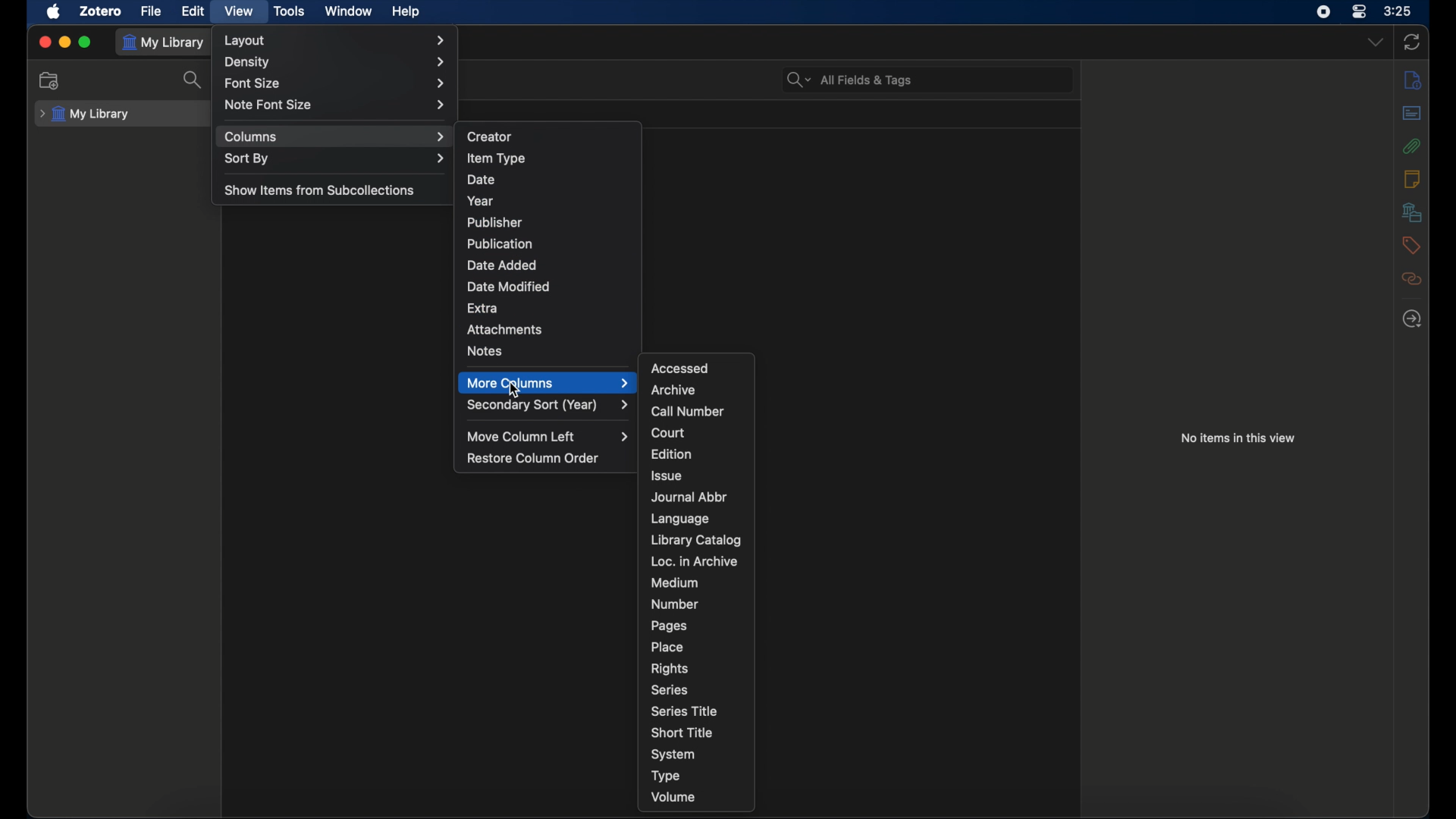  Describe the element at coordinates (849, 80) in the screenshot. I see `search bar` at that location.